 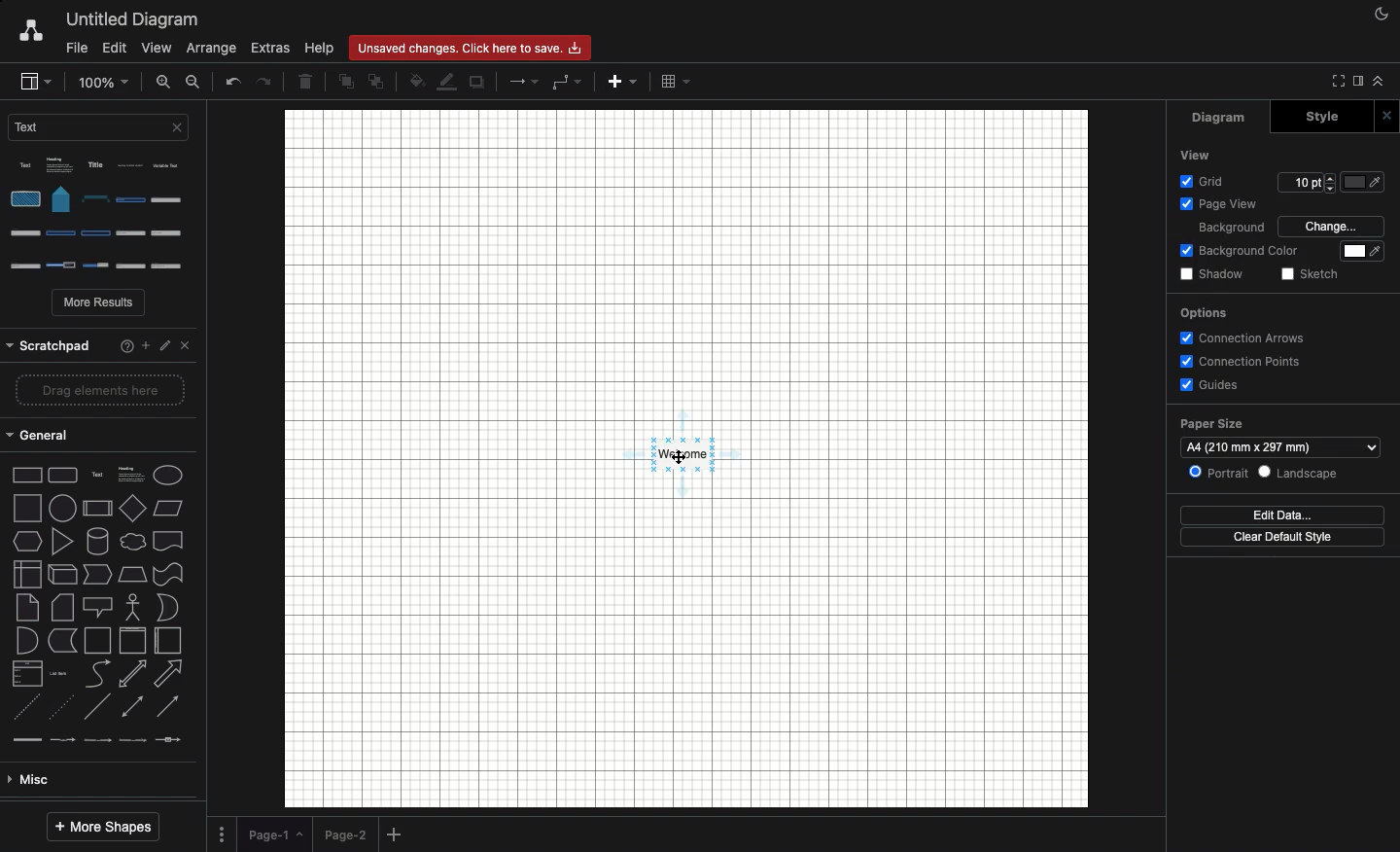 What do you see at coordinates (1379, 81) in the screenshot?
I see `Collapse` at bounding box center [1379, 81].